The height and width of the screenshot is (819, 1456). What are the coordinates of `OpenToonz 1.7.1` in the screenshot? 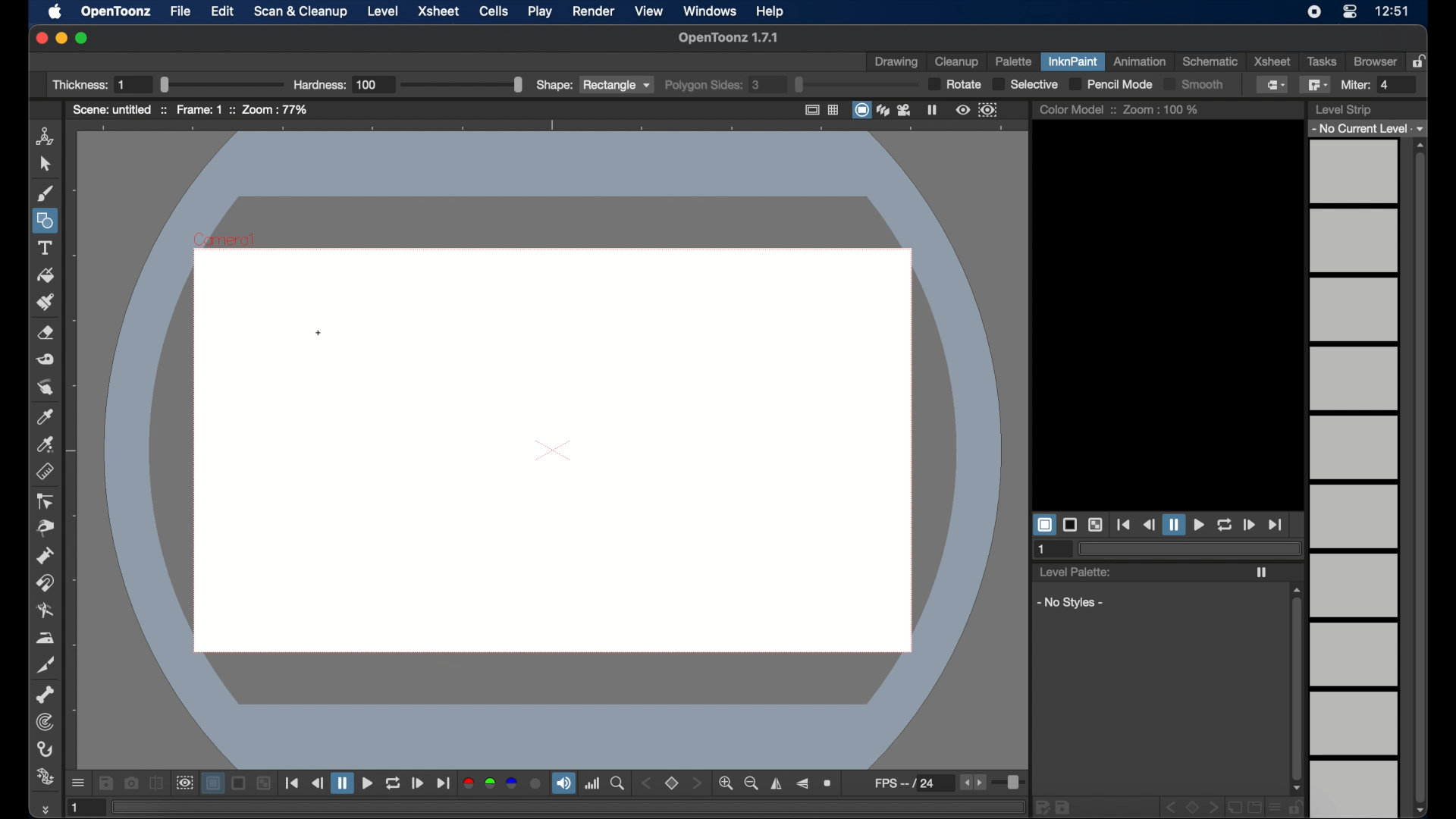 It's located at (728, 38).